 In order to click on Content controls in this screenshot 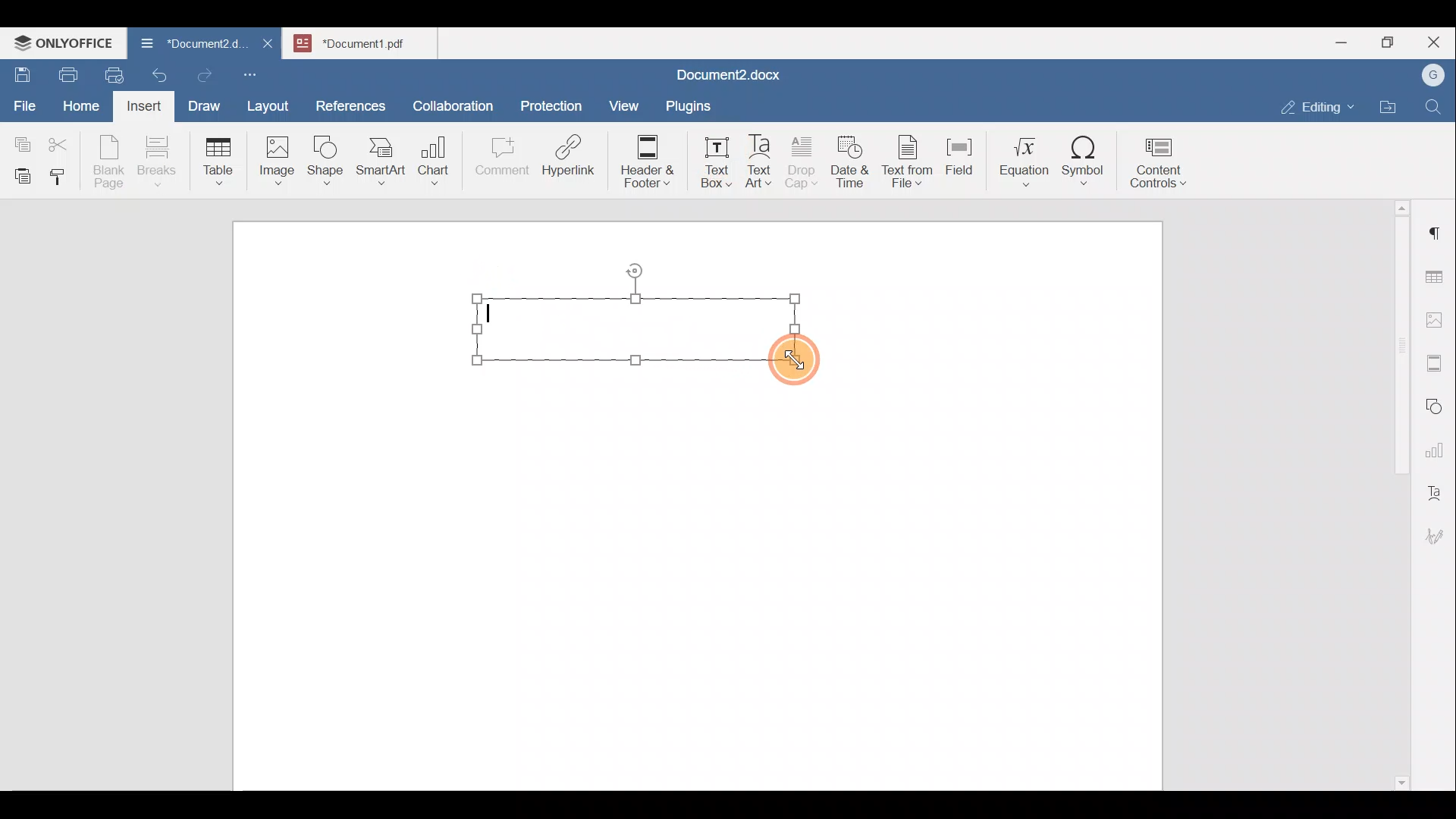, I will do `click(1161, 168)`.